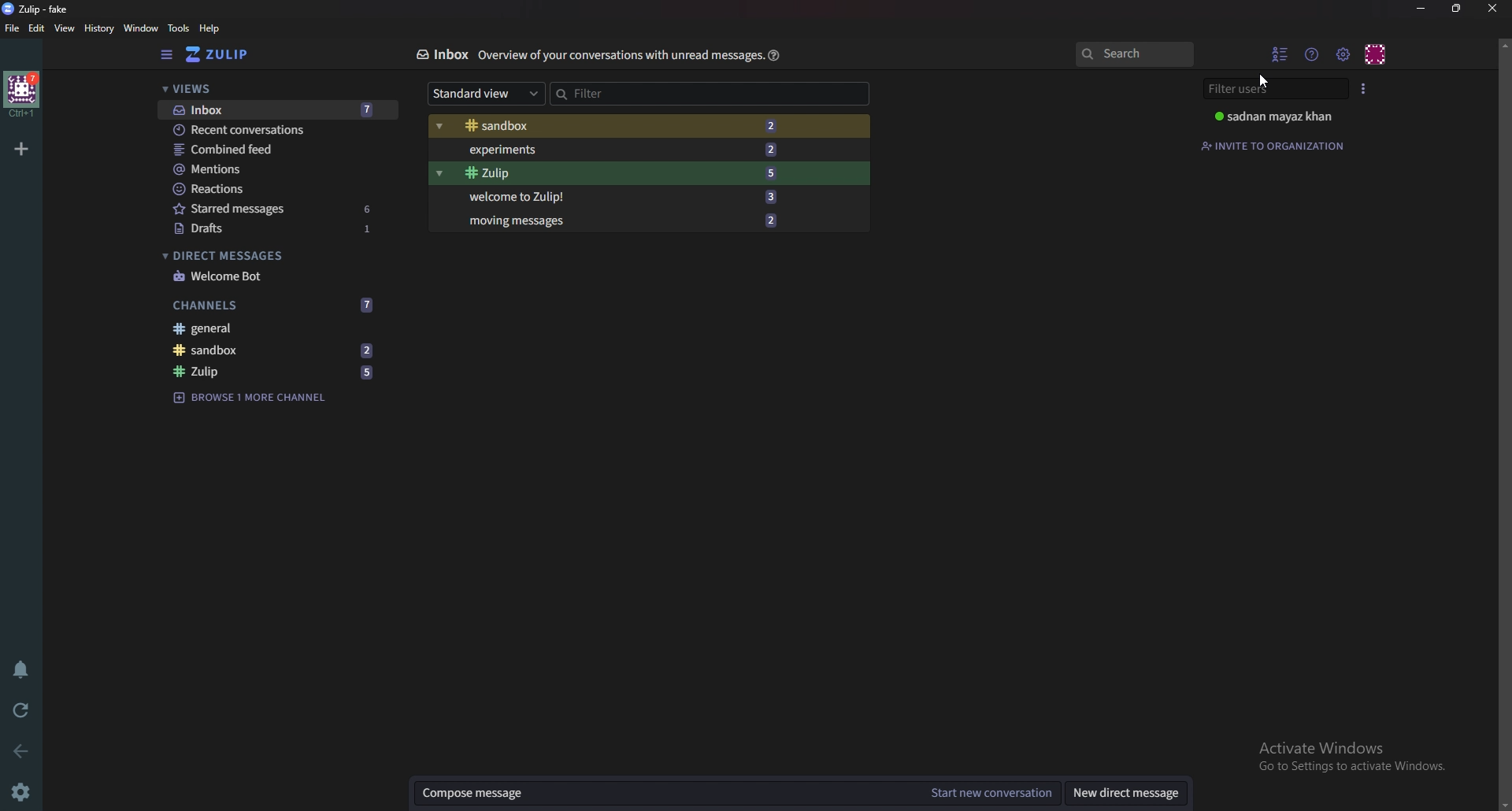 The height and width of the screenshot is (811, 1512). What do you see at coordinates (276, 171) in the screenshot?
I see `Mentions` at bounding box center [276, 171].